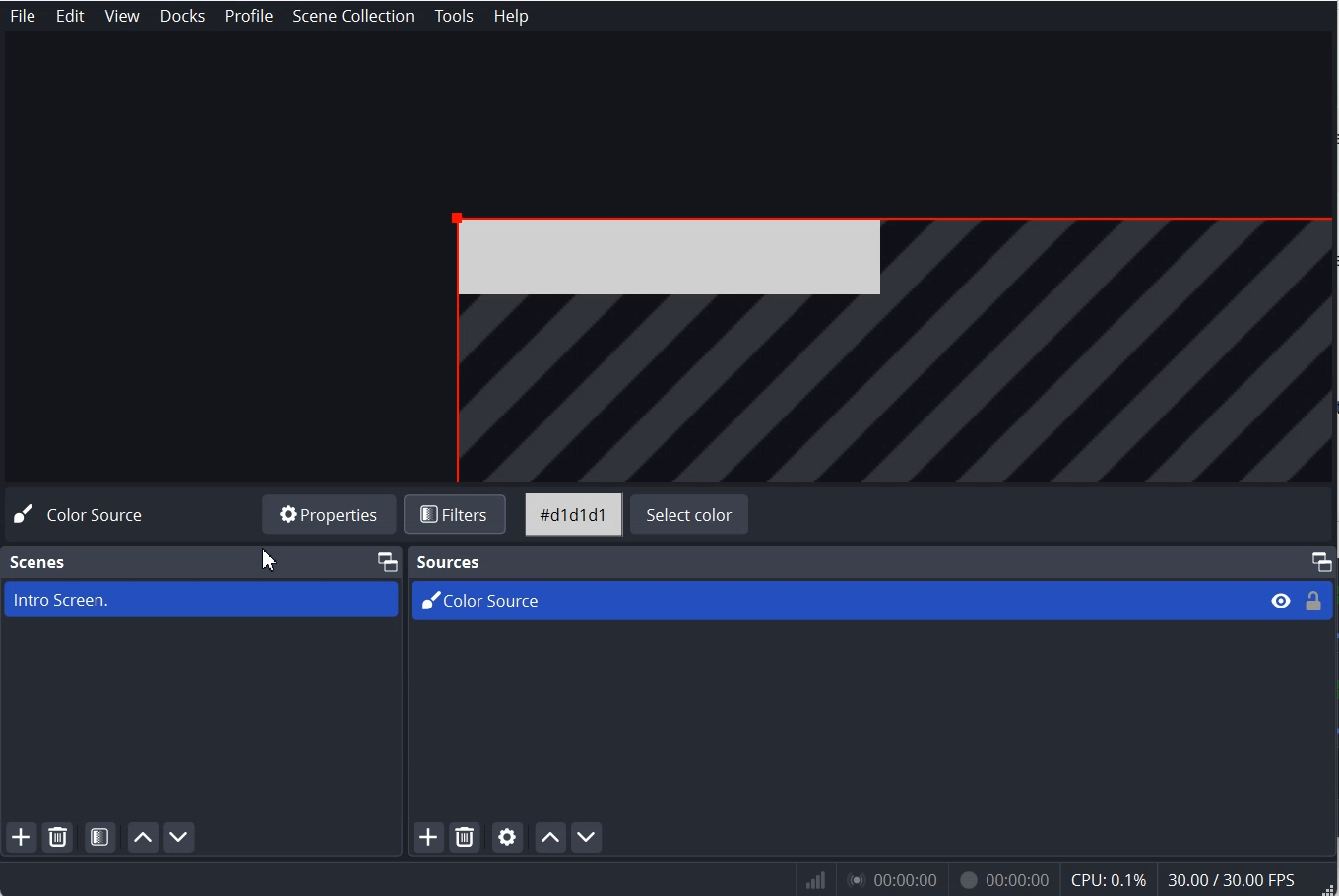  I want to click on Add Scene, so click(21, 838).